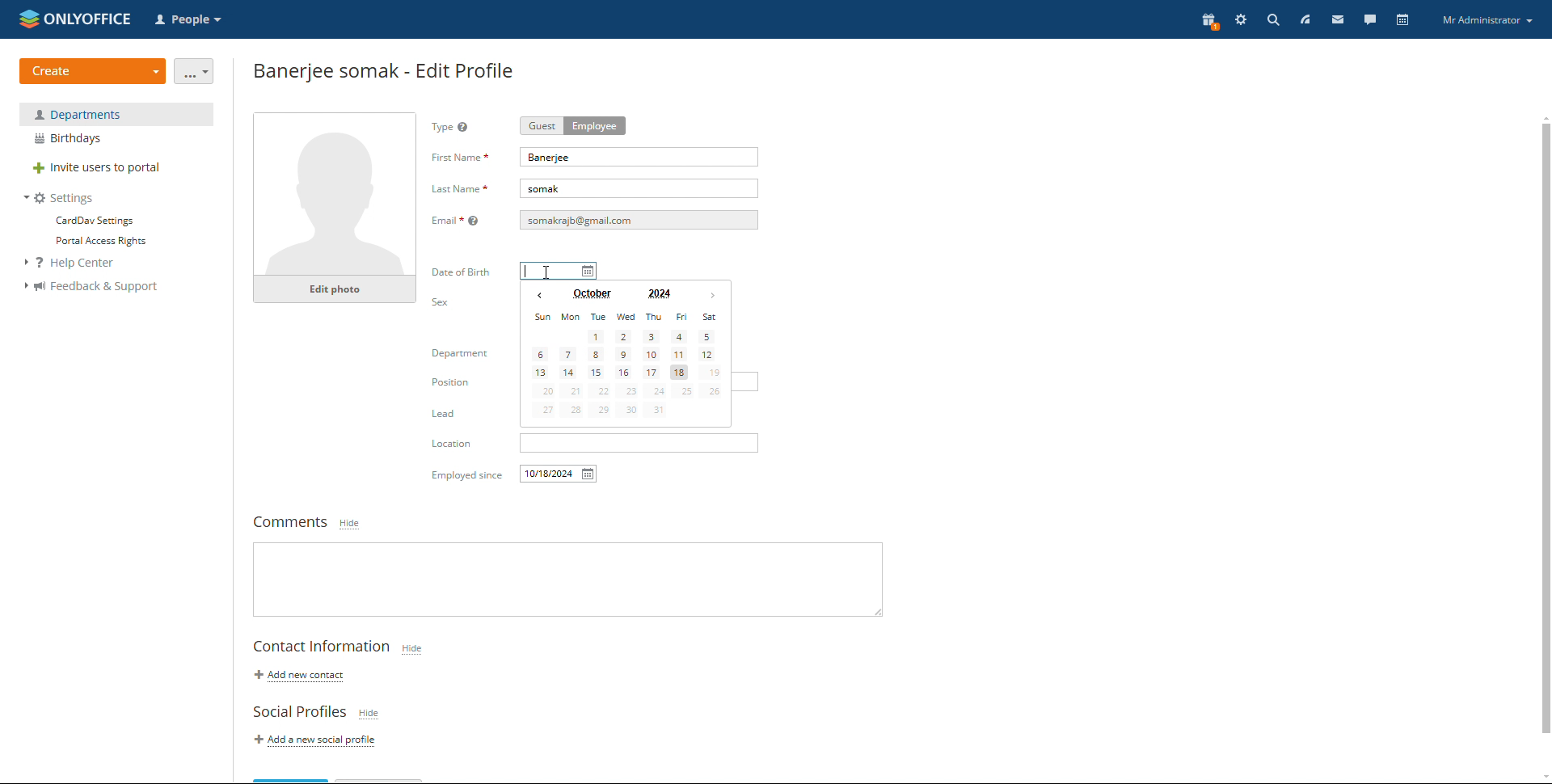 This screenshot has width=1552, height=784. What do you see at coordinates (541, 126) in the screenshot?
I see `guest` at bounding box center [541, 126].